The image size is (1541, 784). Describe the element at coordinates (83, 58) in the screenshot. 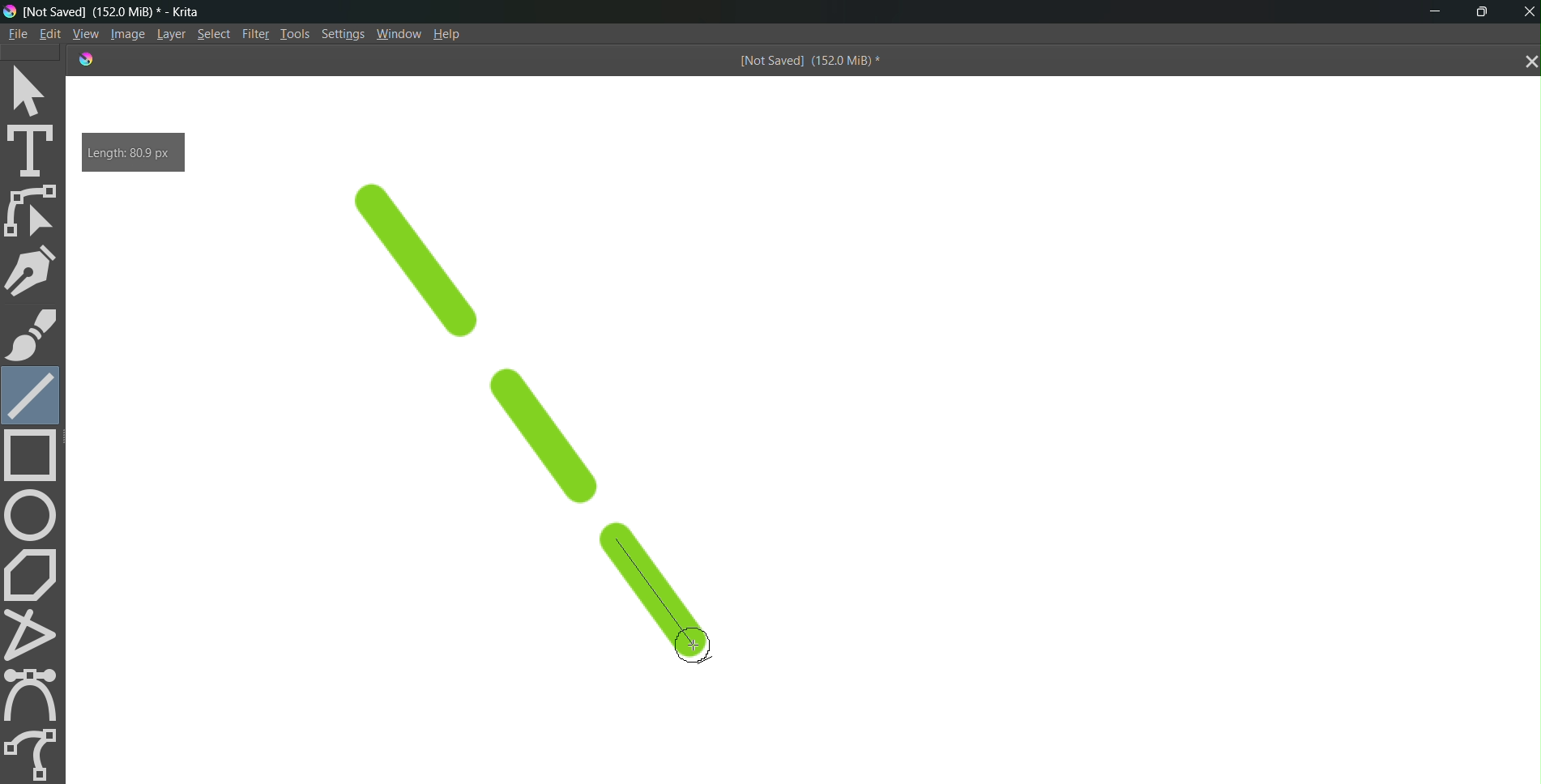

I see `logo` at that location.